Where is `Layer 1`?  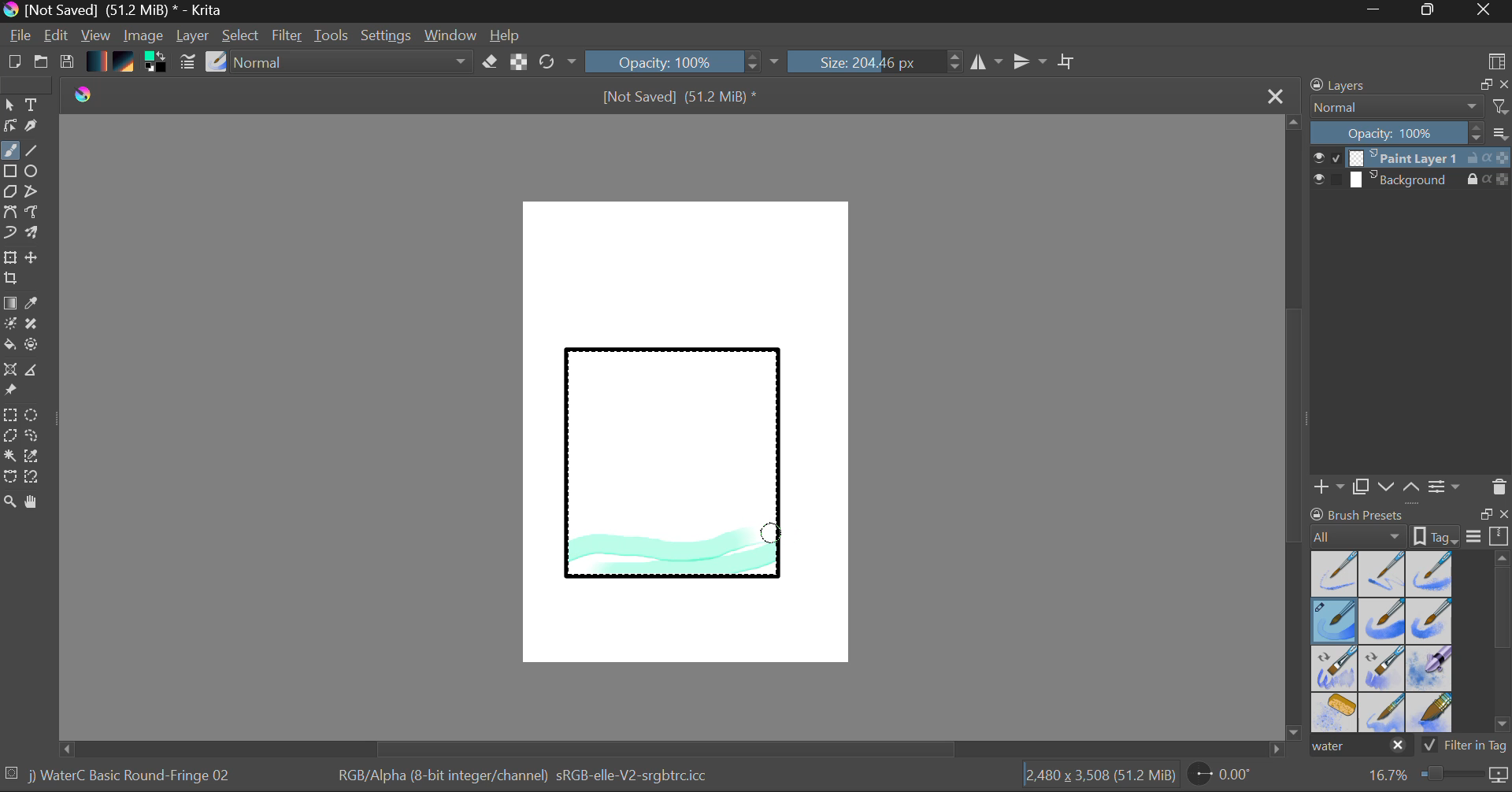 Layer 1 is located at coordinates (1412, 160).